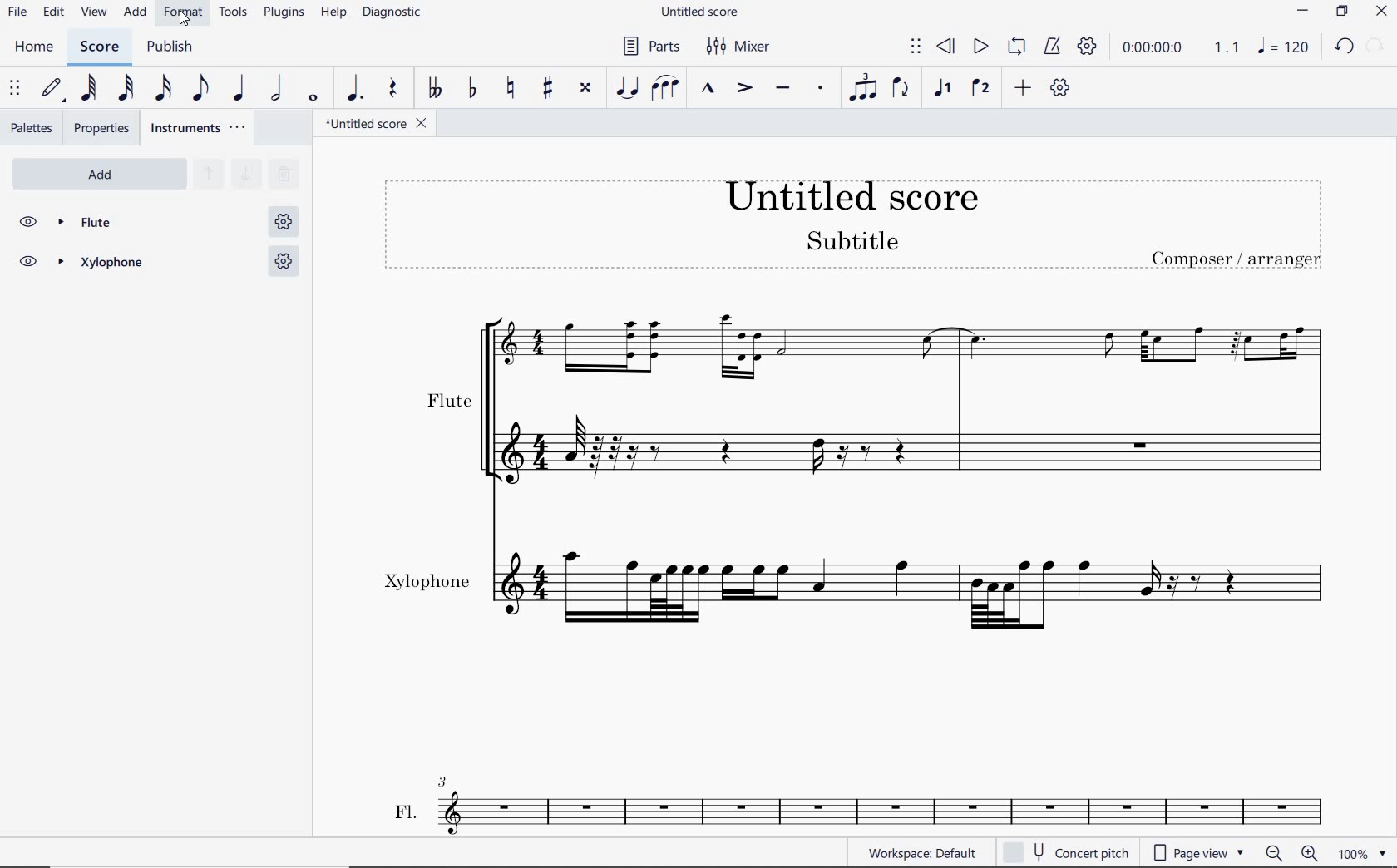  I want to click on REDO, so click(1375, 47).